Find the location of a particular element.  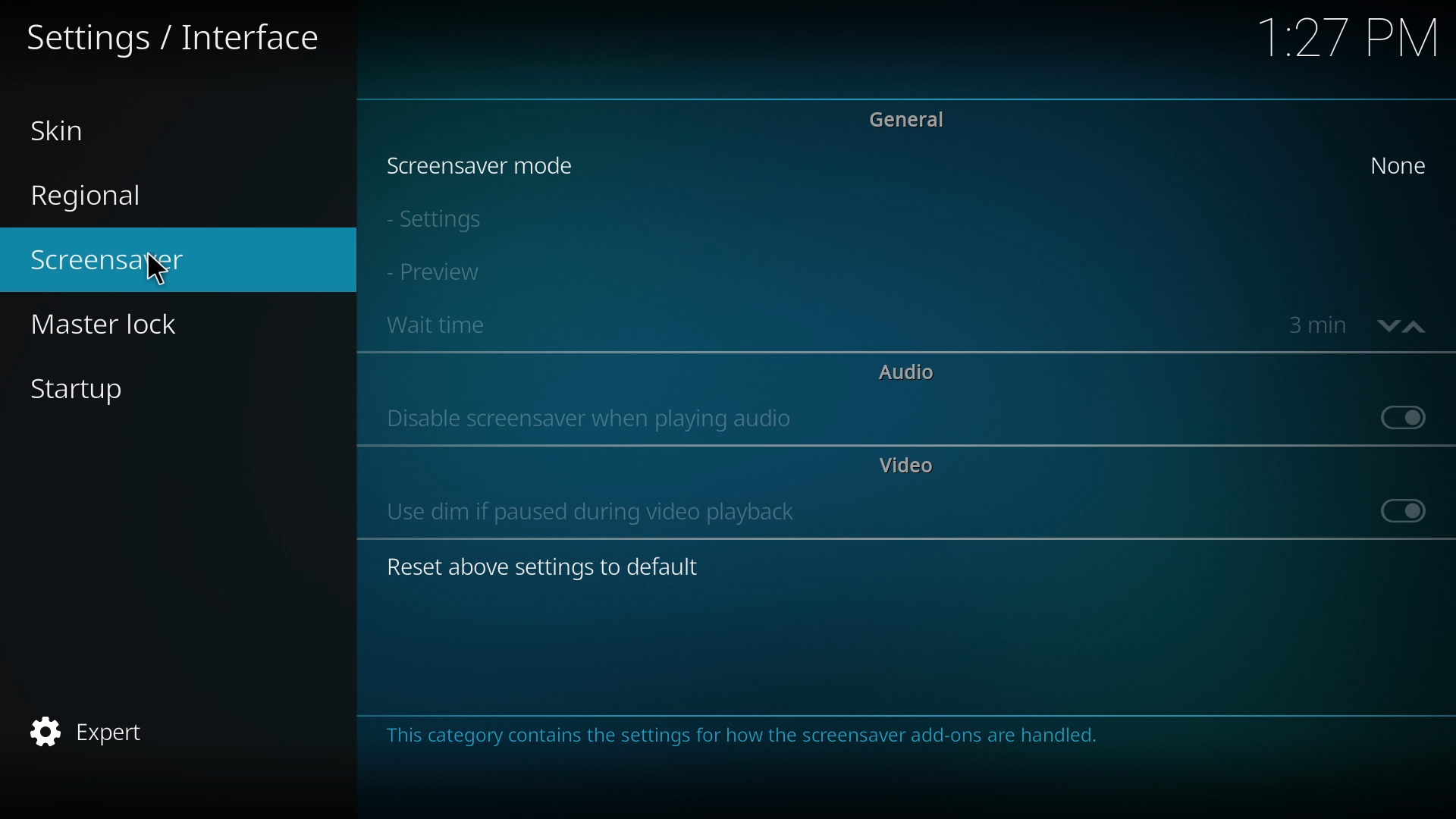

cursor is located at coordinates (158, 268).